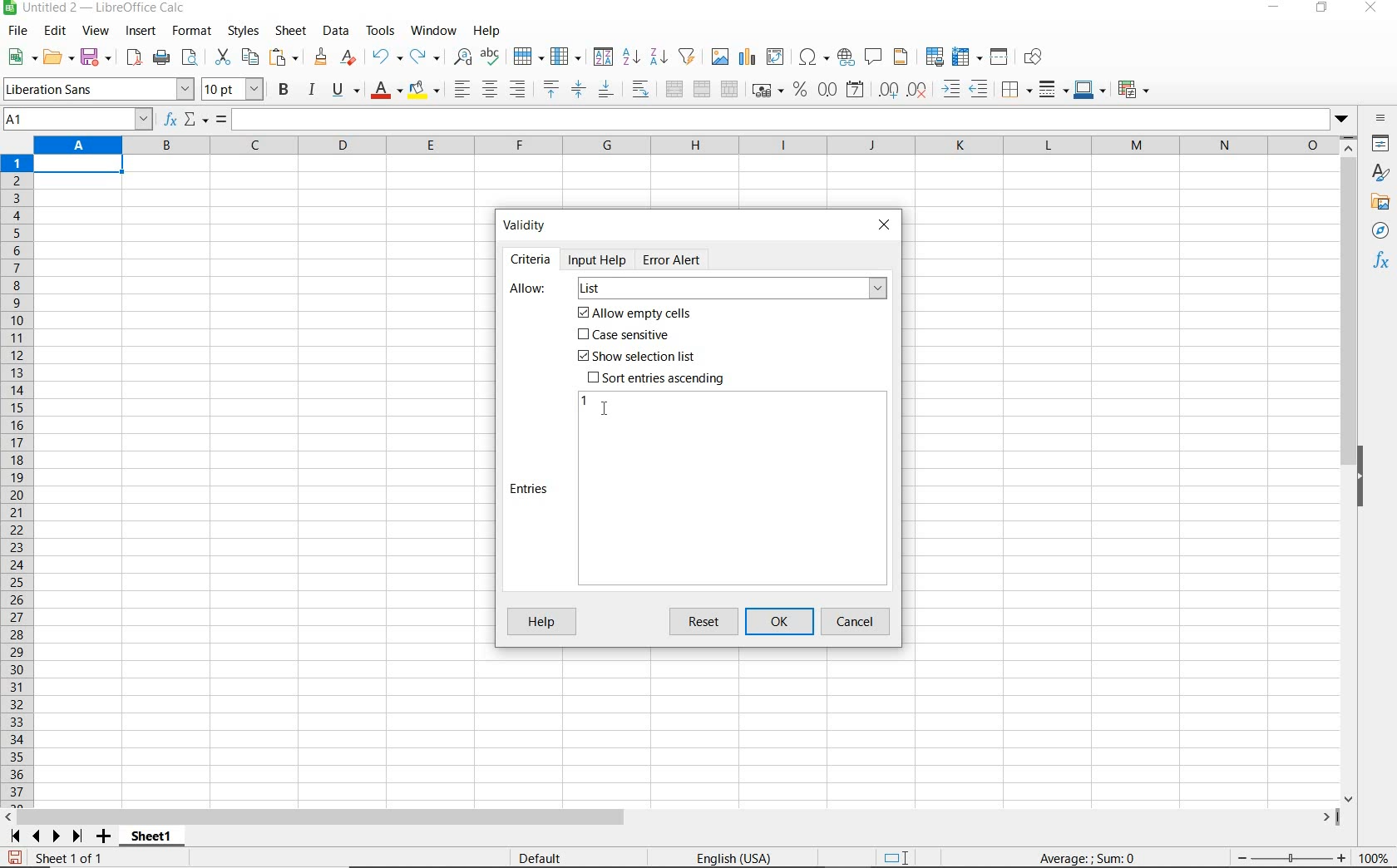  Describe the element at coordinates (625, 336) in the screenshot. I see `Case sensitive` at that location.